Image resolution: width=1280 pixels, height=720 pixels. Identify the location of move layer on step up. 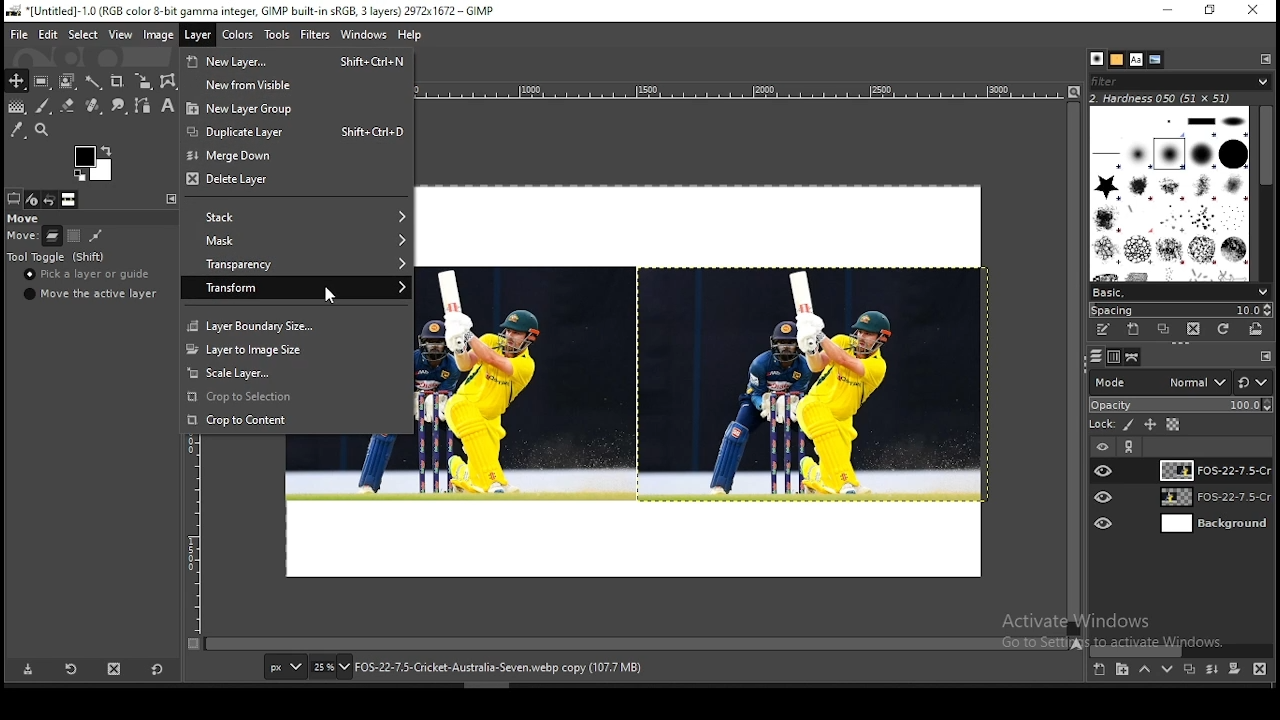
(1144, 671).